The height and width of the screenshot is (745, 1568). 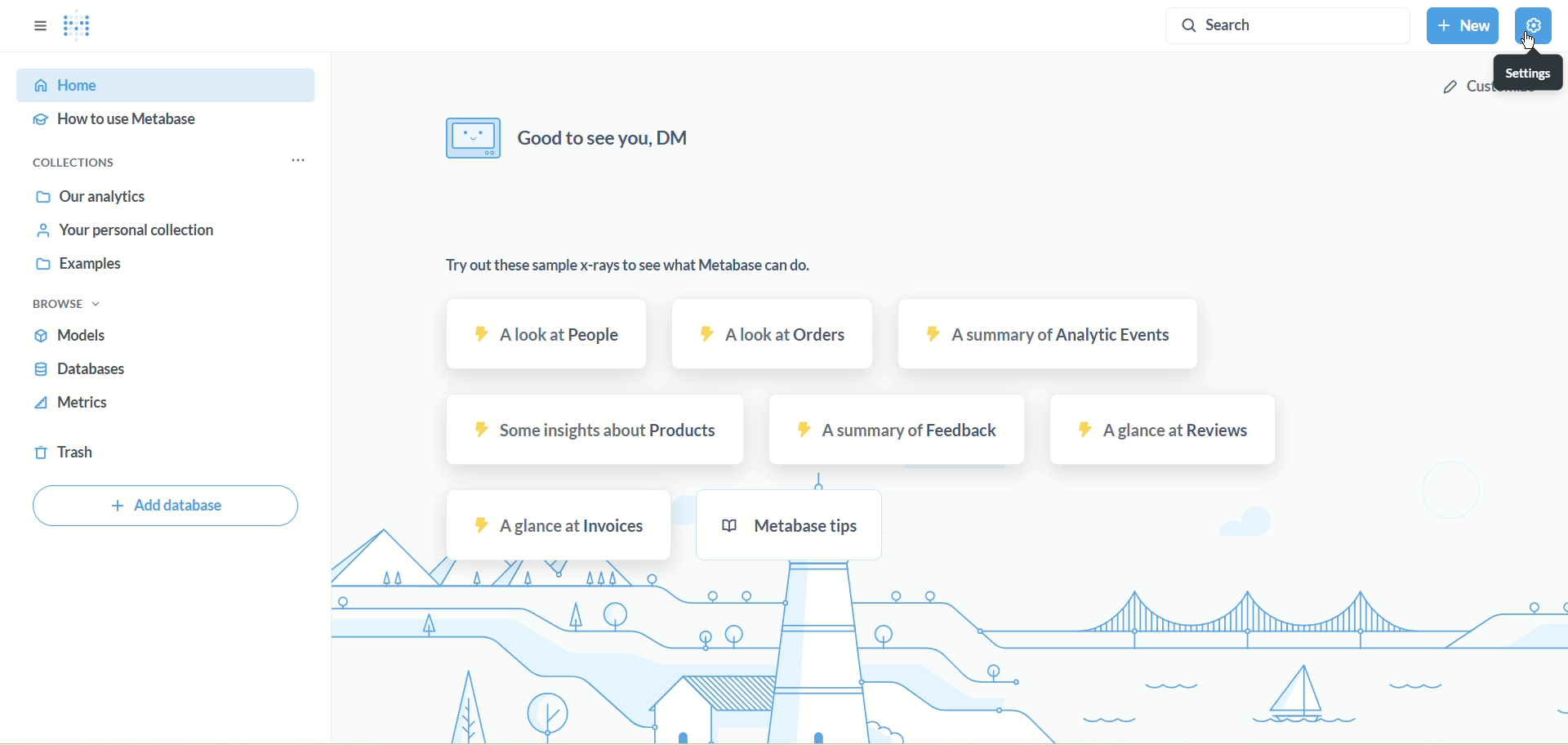 What do you see at coordinates (606, 136) in the screenshot?
I see `Good ro see you, DM` at bounding box center [606, 136].